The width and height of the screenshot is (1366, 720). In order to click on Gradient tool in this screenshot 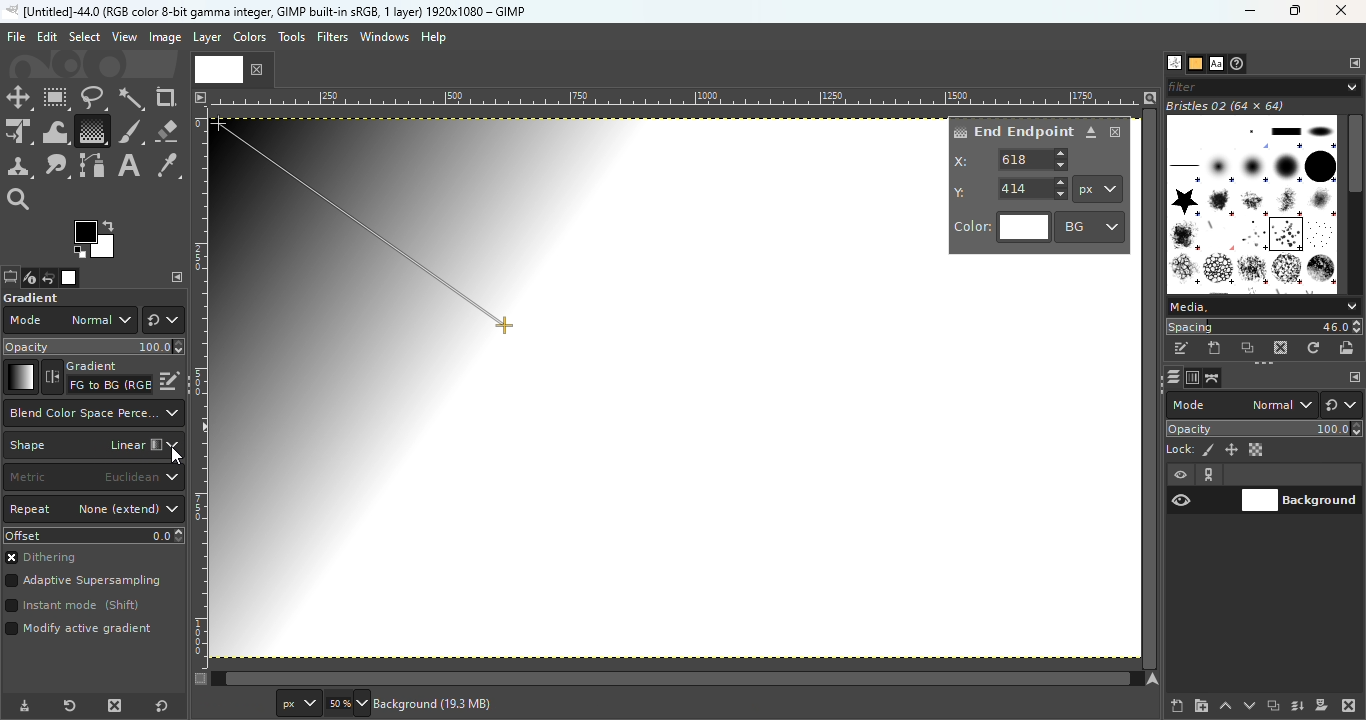, I will do `click(91, 131)`.